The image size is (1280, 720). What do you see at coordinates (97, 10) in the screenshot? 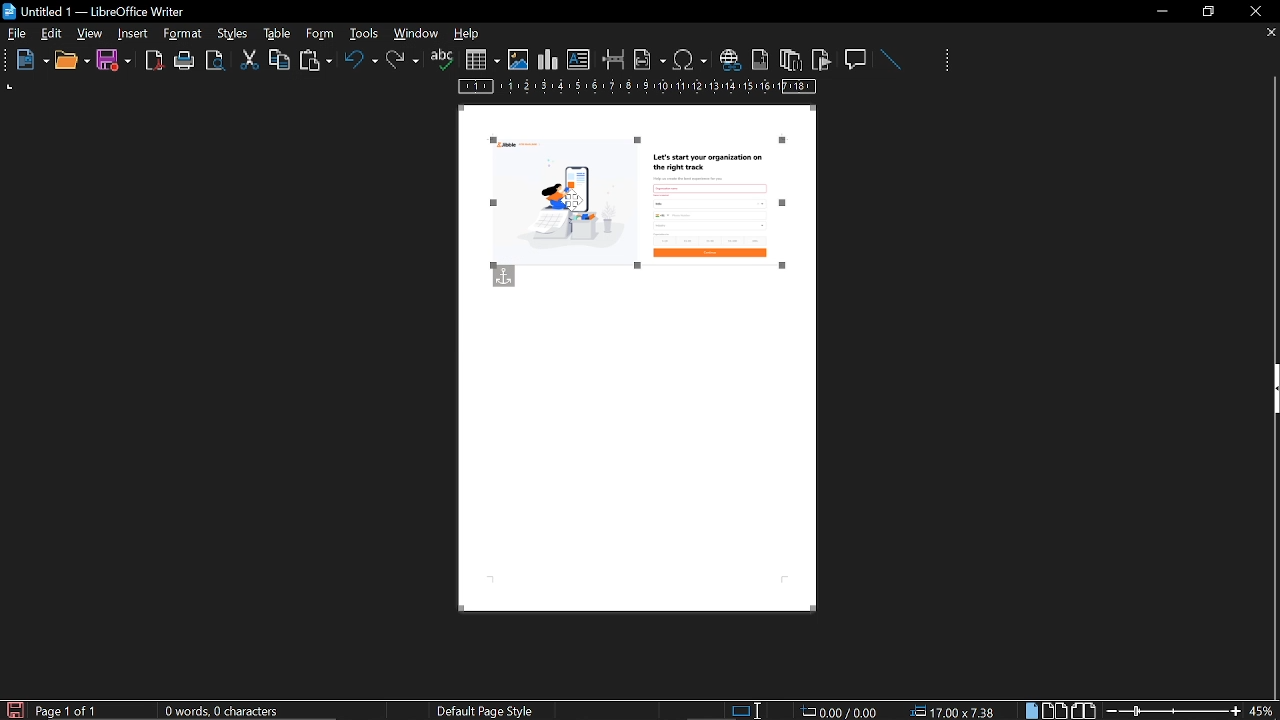
I see `current window` at bounding box center [97, 10].